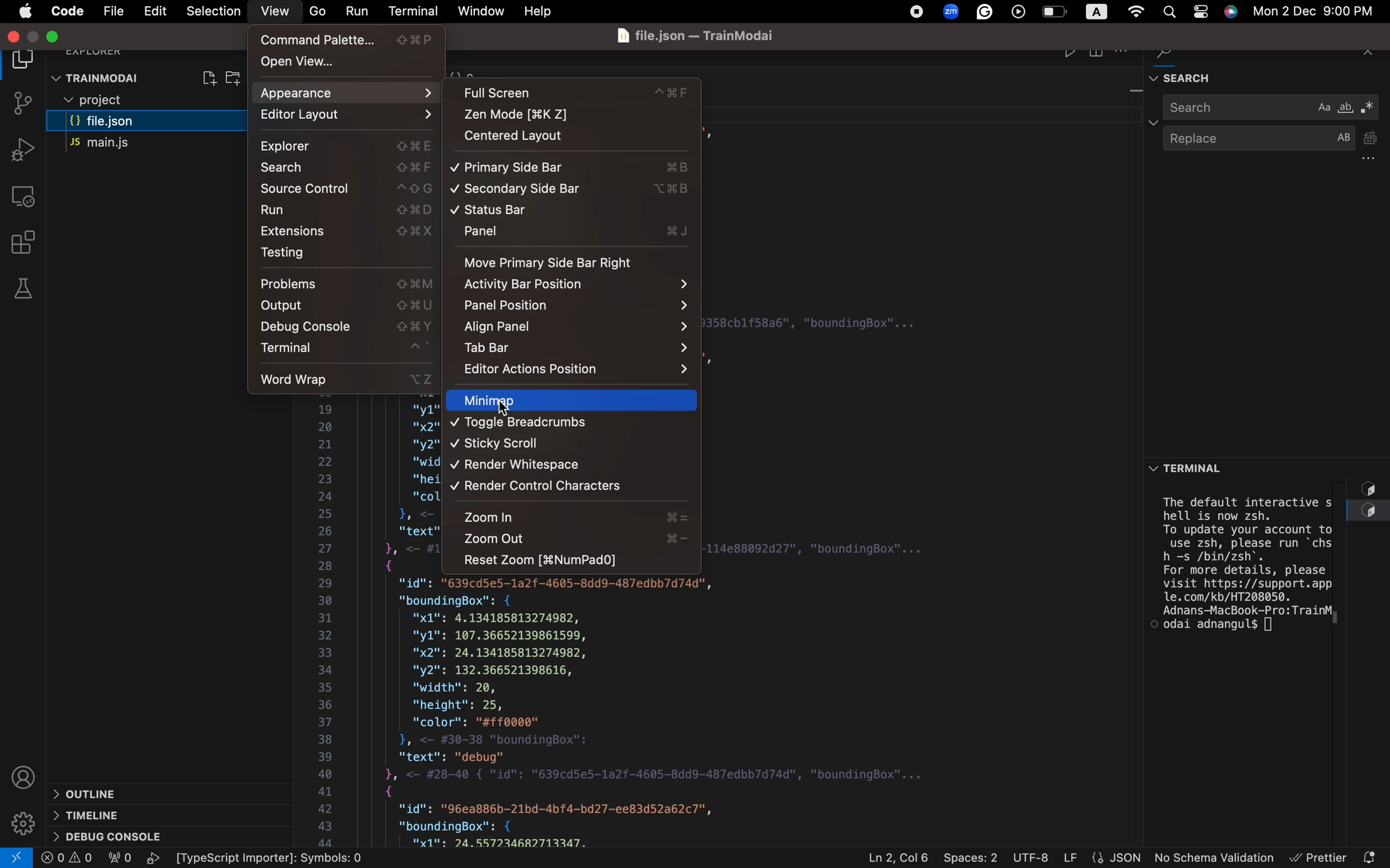 The image size is (1390, 868). I want to click on reset zoom, so click(573, 560).